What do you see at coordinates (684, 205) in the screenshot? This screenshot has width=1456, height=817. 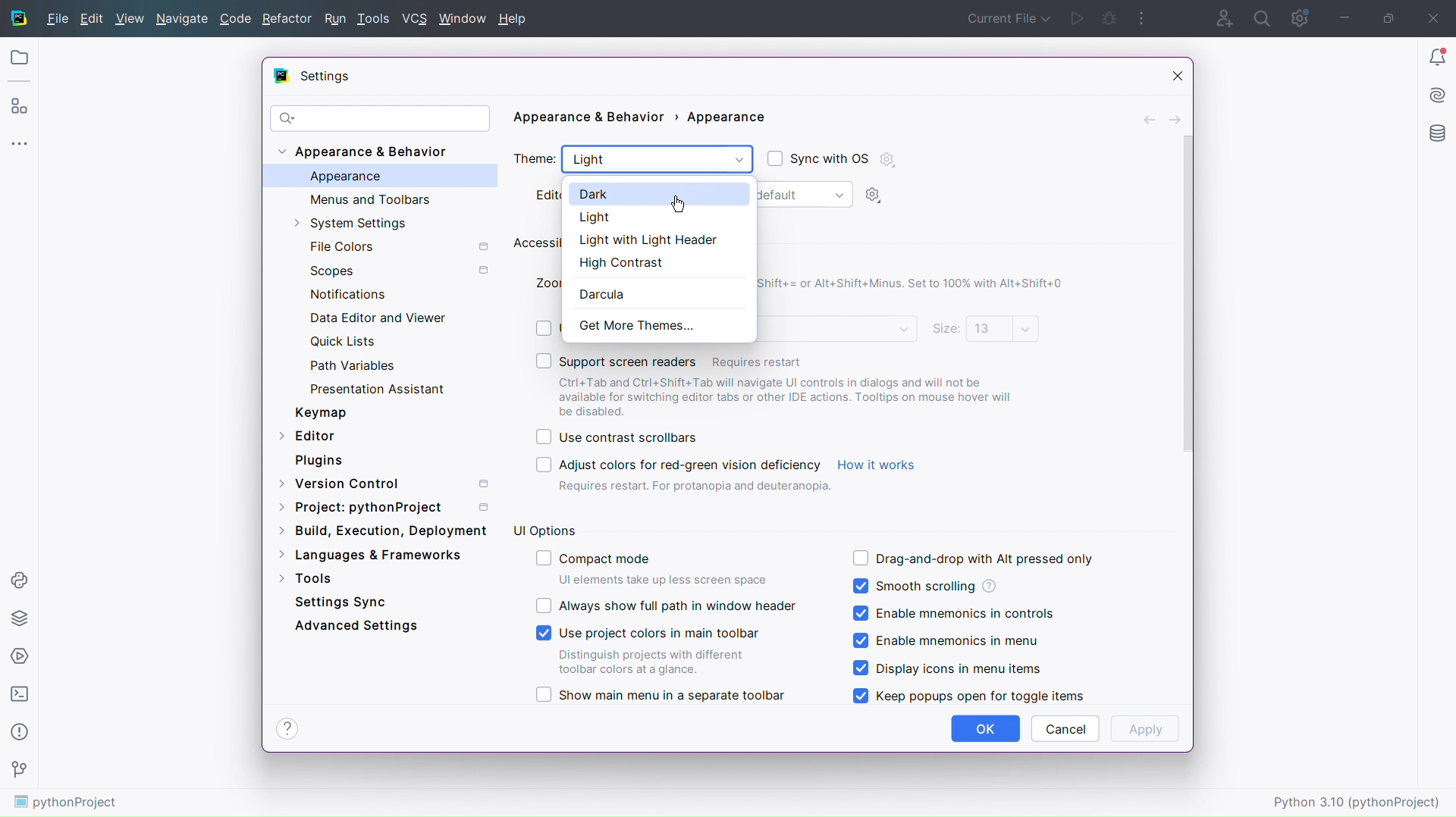 I see `Cursor ` at bounding box center [684, 205].